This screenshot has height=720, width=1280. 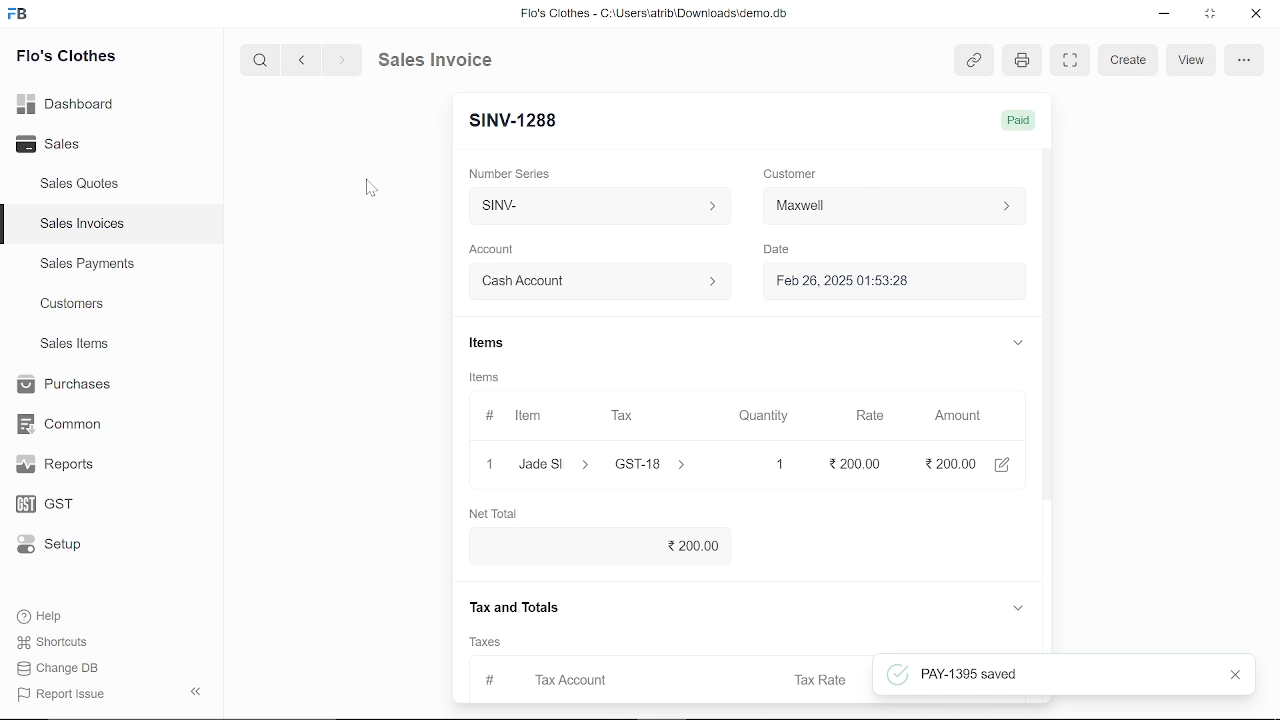 What do you see at coordinates (776, 250) in the screenshot?
I see `Date` at bounding box center [776, 250].